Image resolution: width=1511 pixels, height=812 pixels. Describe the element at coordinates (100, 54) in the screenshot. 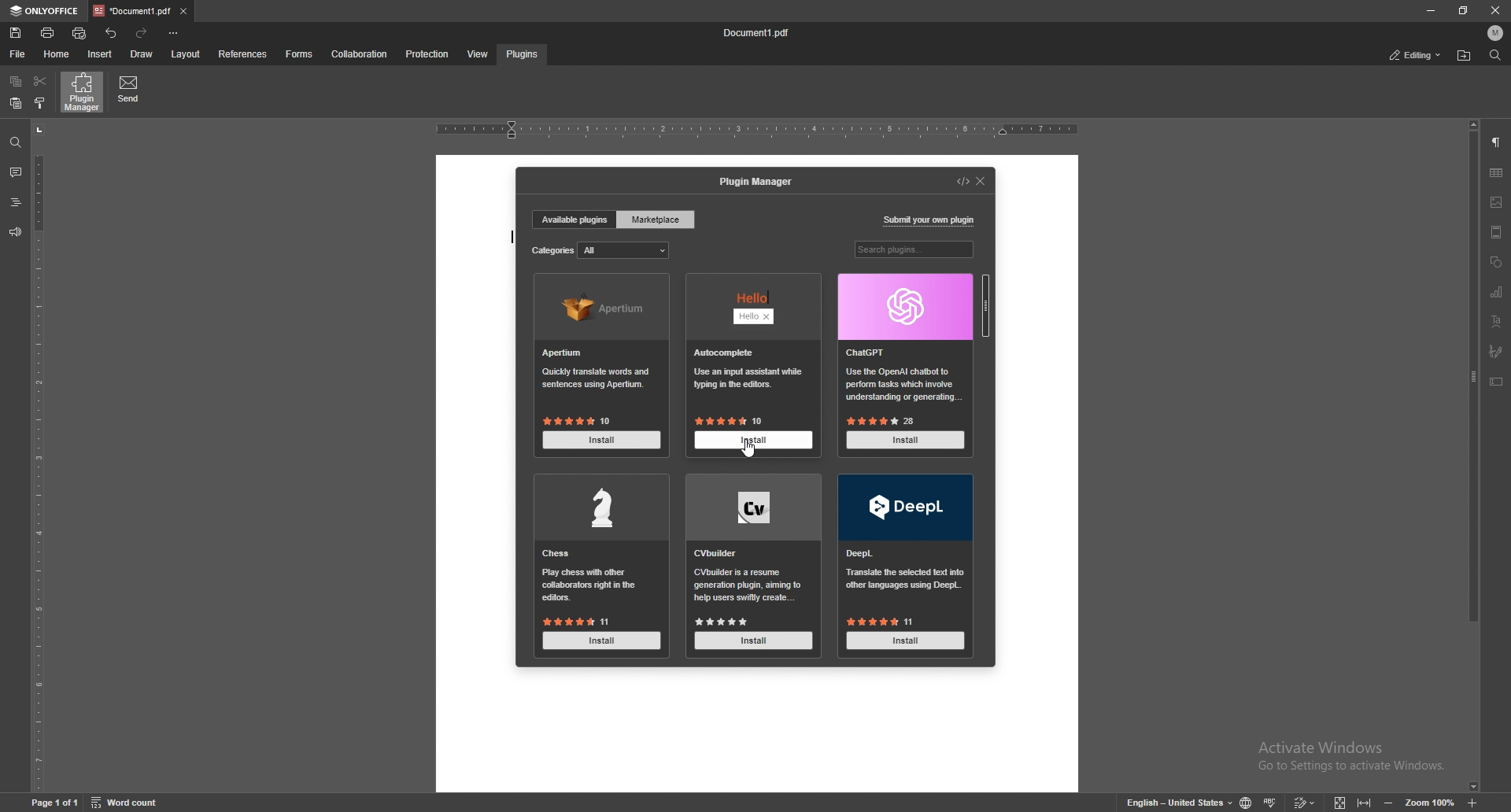

I see `insert` at that location.